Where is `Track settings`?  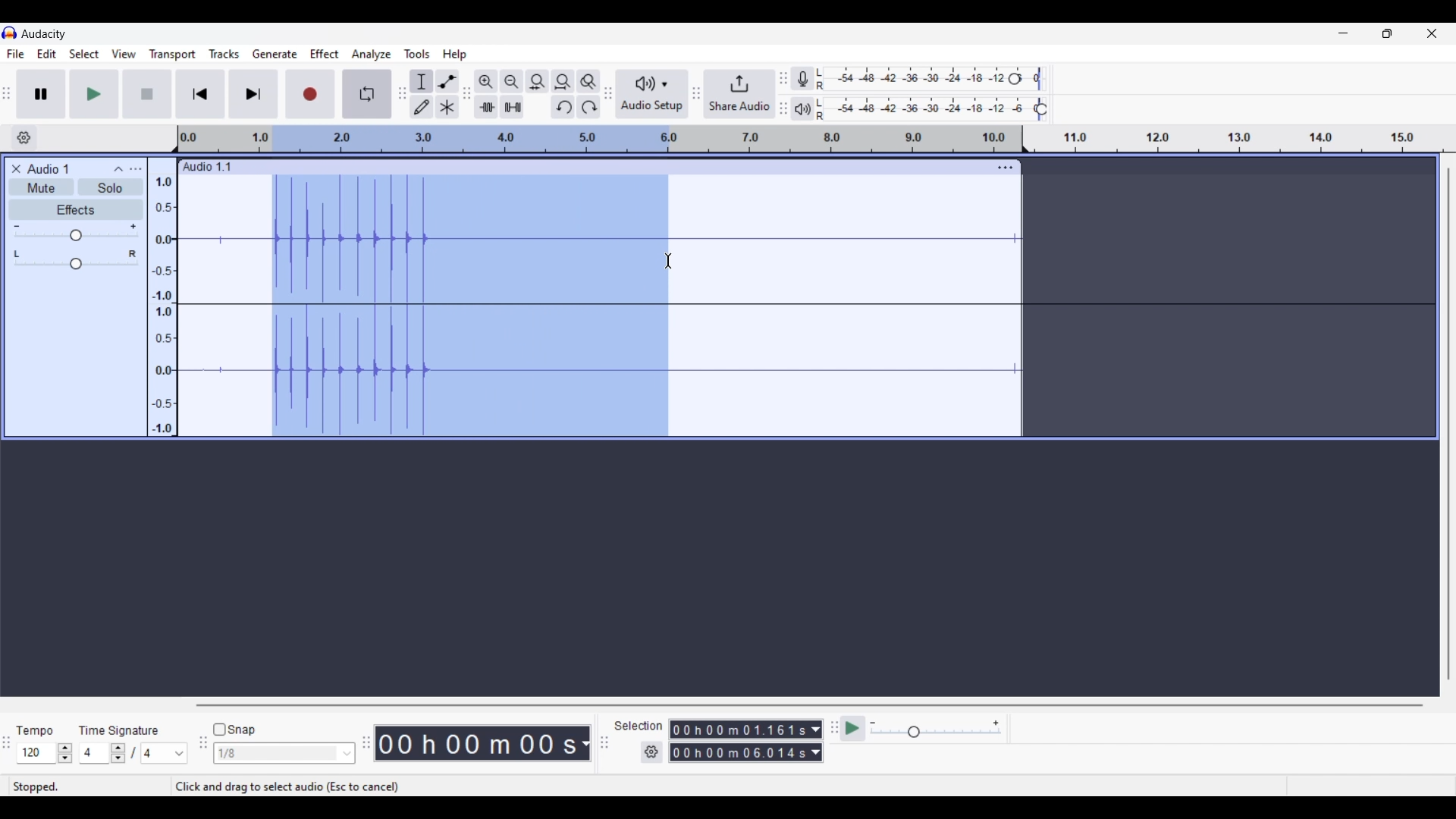
Track settings is located at coordinates (1006, 167).